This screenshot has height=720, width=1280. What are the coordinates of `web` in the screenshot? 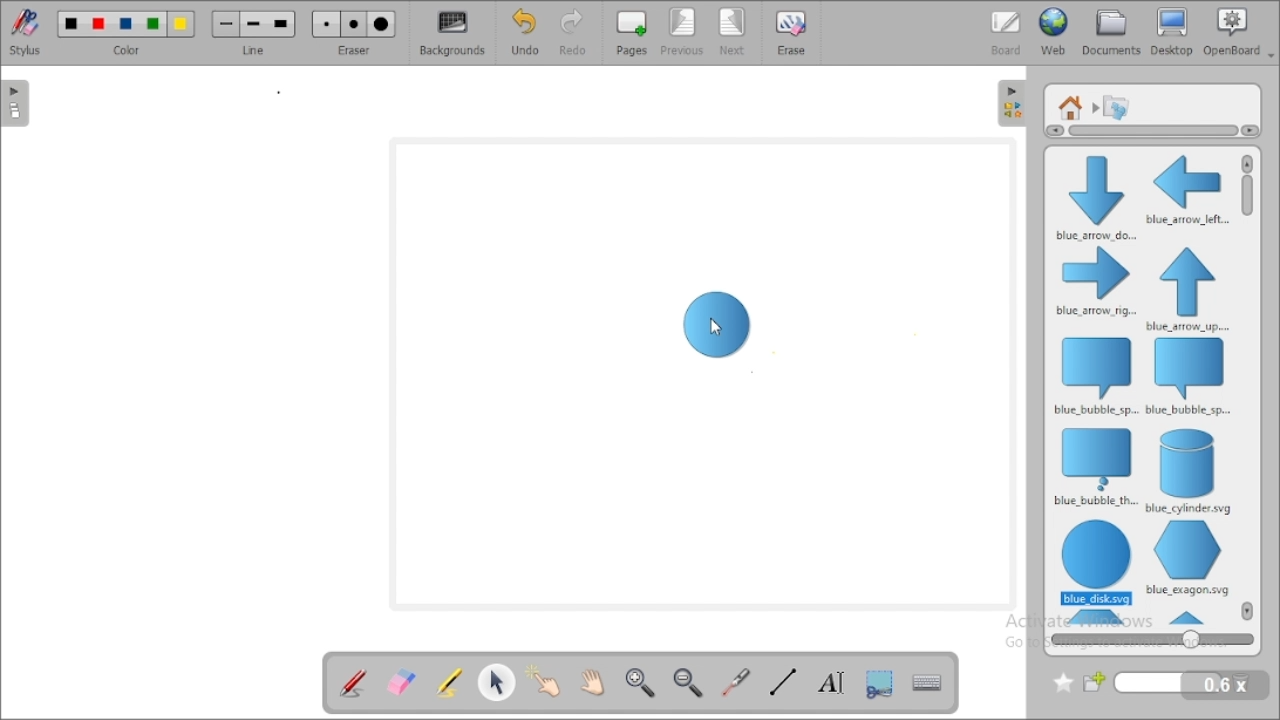 It's located at (1054, 32).